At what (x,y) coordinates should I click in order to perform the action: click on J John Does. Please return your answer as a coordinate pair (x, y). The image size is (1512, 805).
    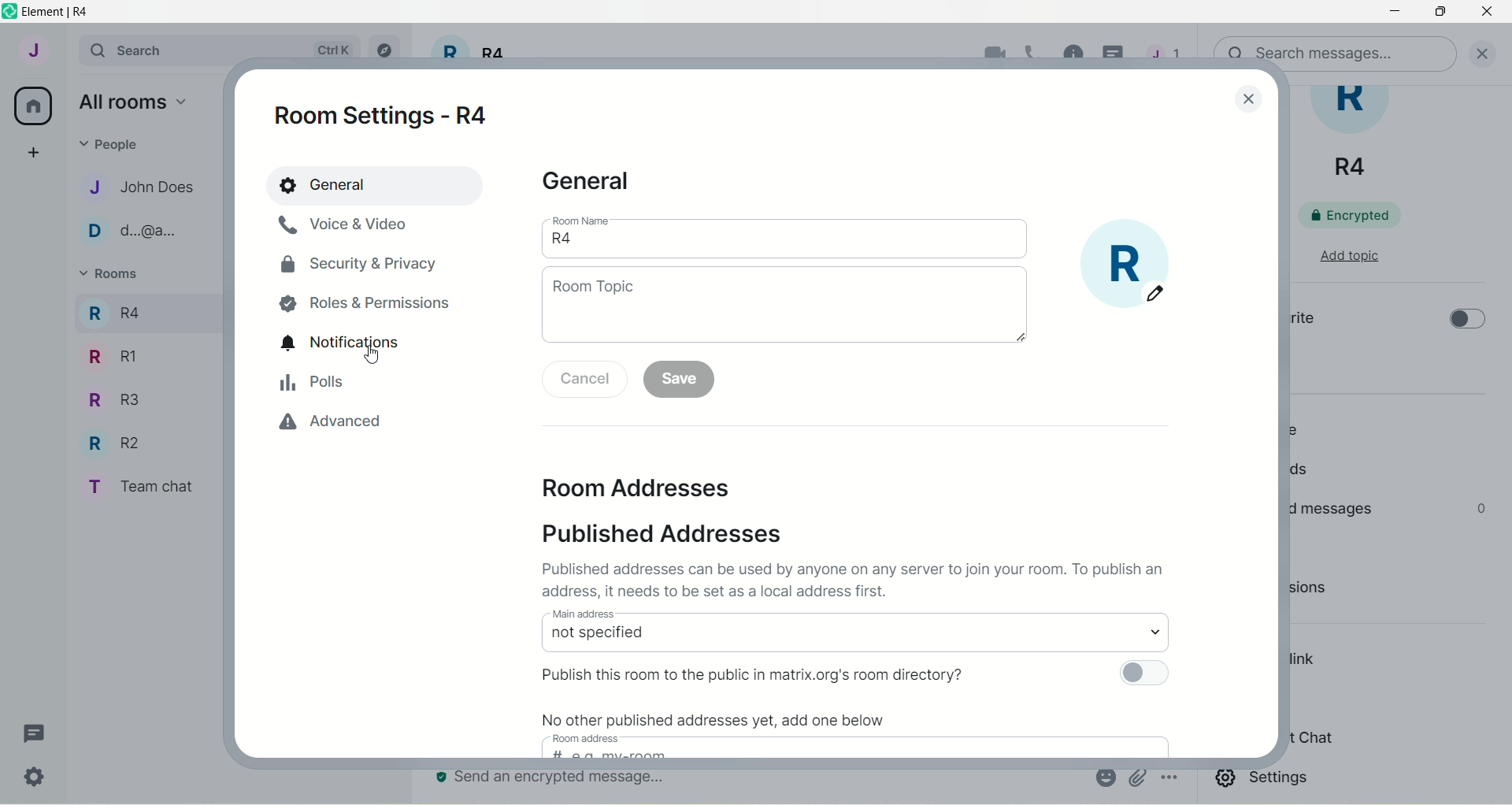
    Looking at the image, I should click on (127, 187).